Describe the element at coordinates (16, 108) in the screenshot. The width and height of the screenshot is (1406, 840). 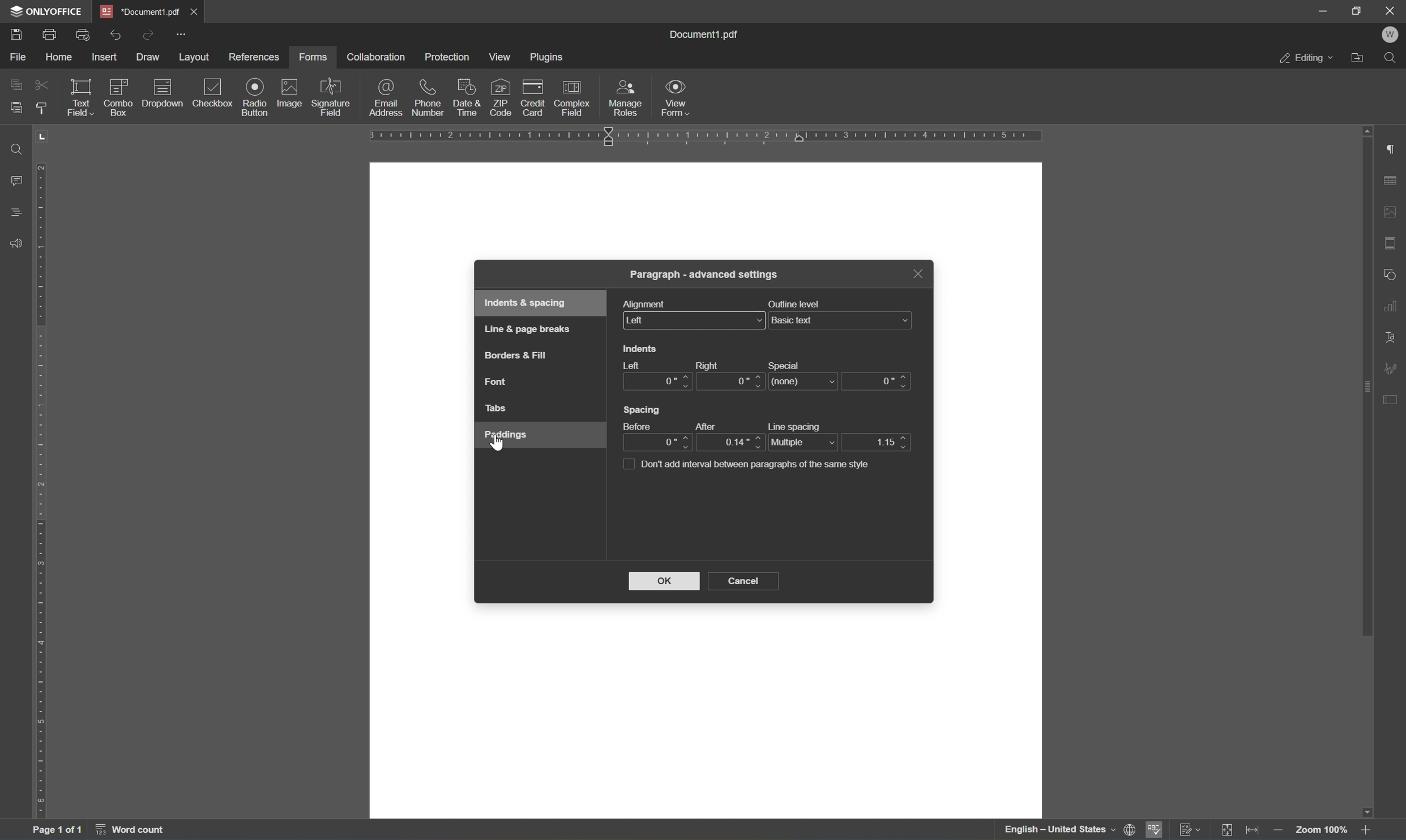
I see `paste` at that location.